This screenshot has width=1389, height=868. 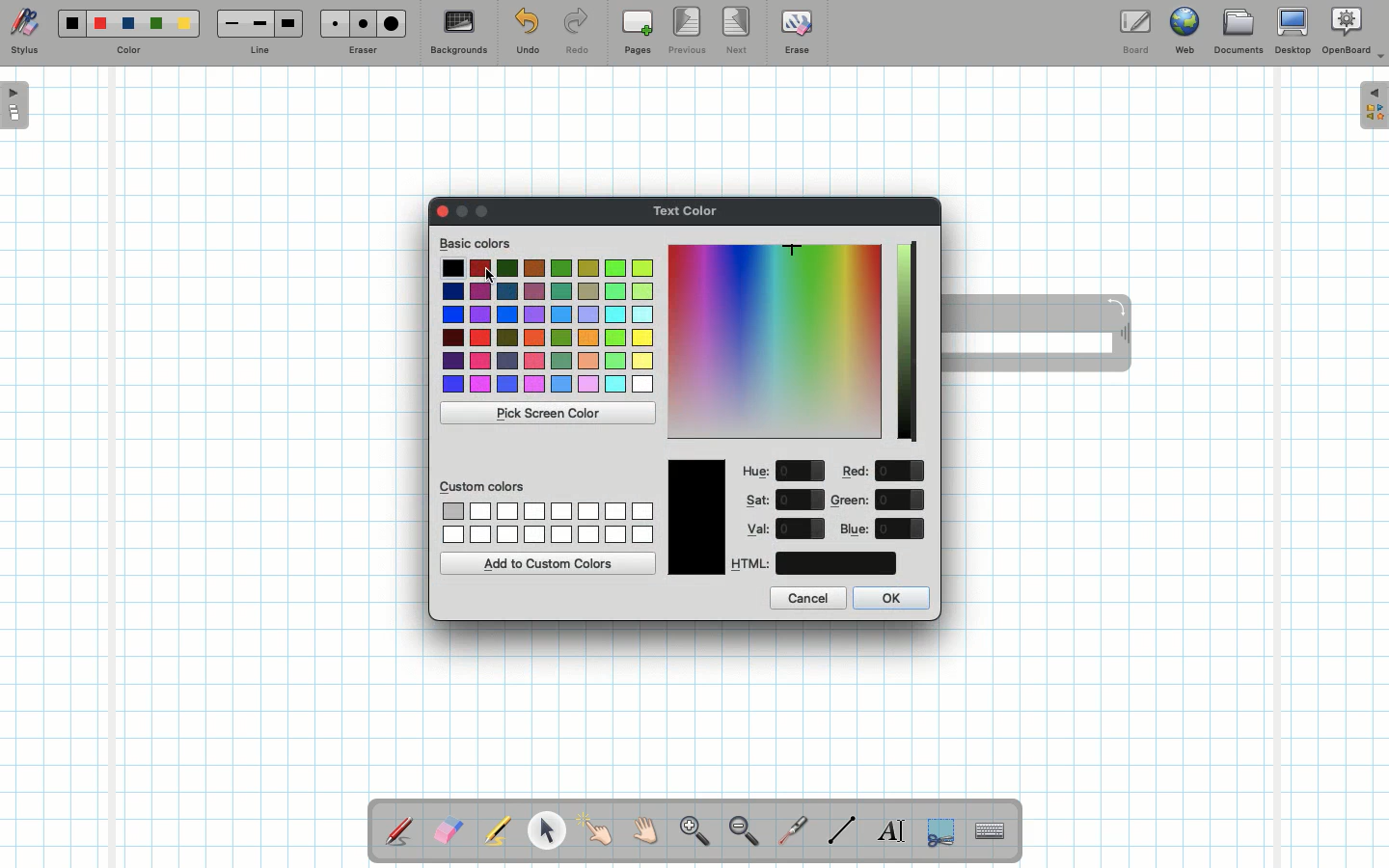 I want to click on value, so click(x=801, y=529).